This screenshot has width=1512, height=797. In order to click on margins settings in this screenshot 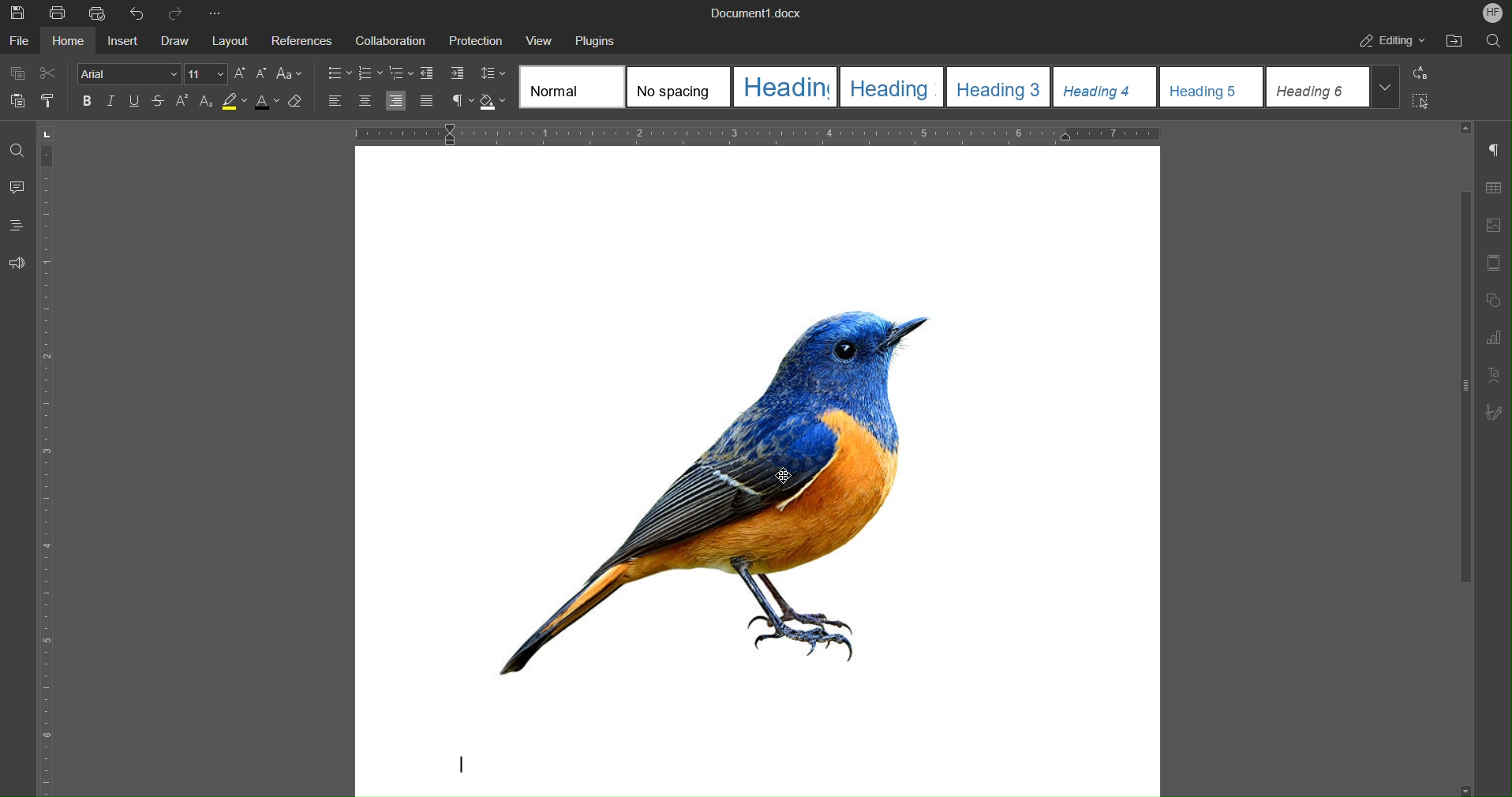, I will do `click(1492, 264)`.